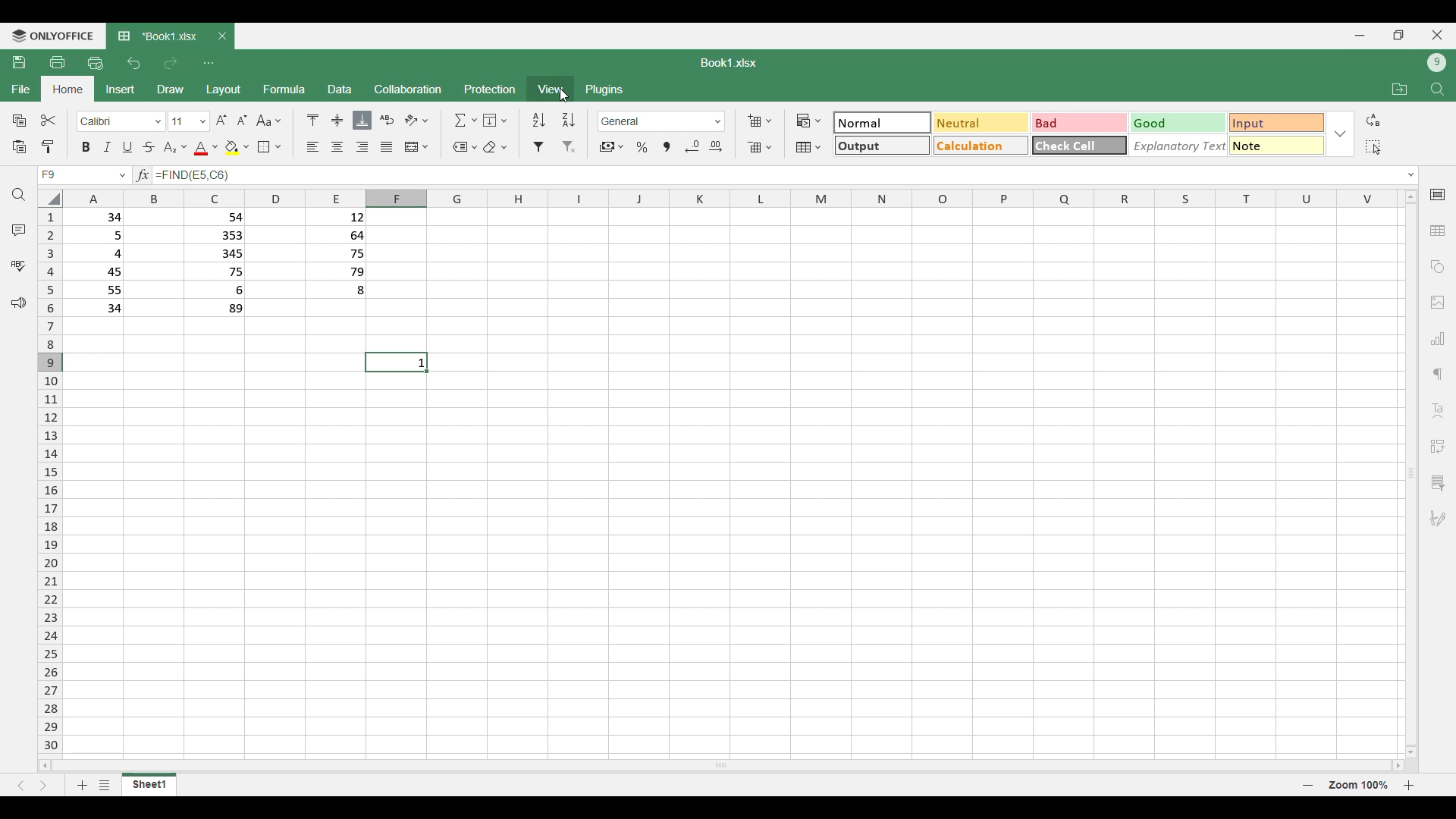  I want to click on Format as table template, so click(808, 147).